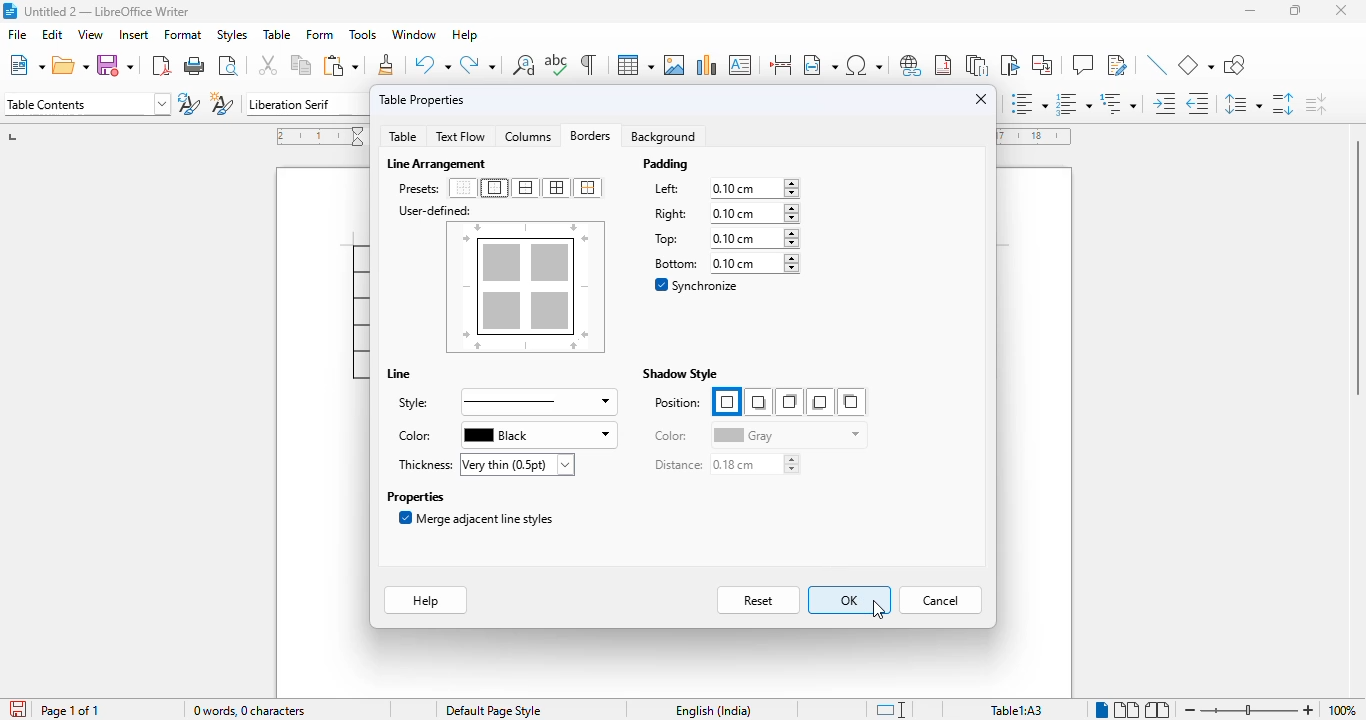 Image resolution: width=1366 pixels, height=720 pixels. Describe the element at coordinates (879, 609) in the screenshot. I see `cursor` at that location.